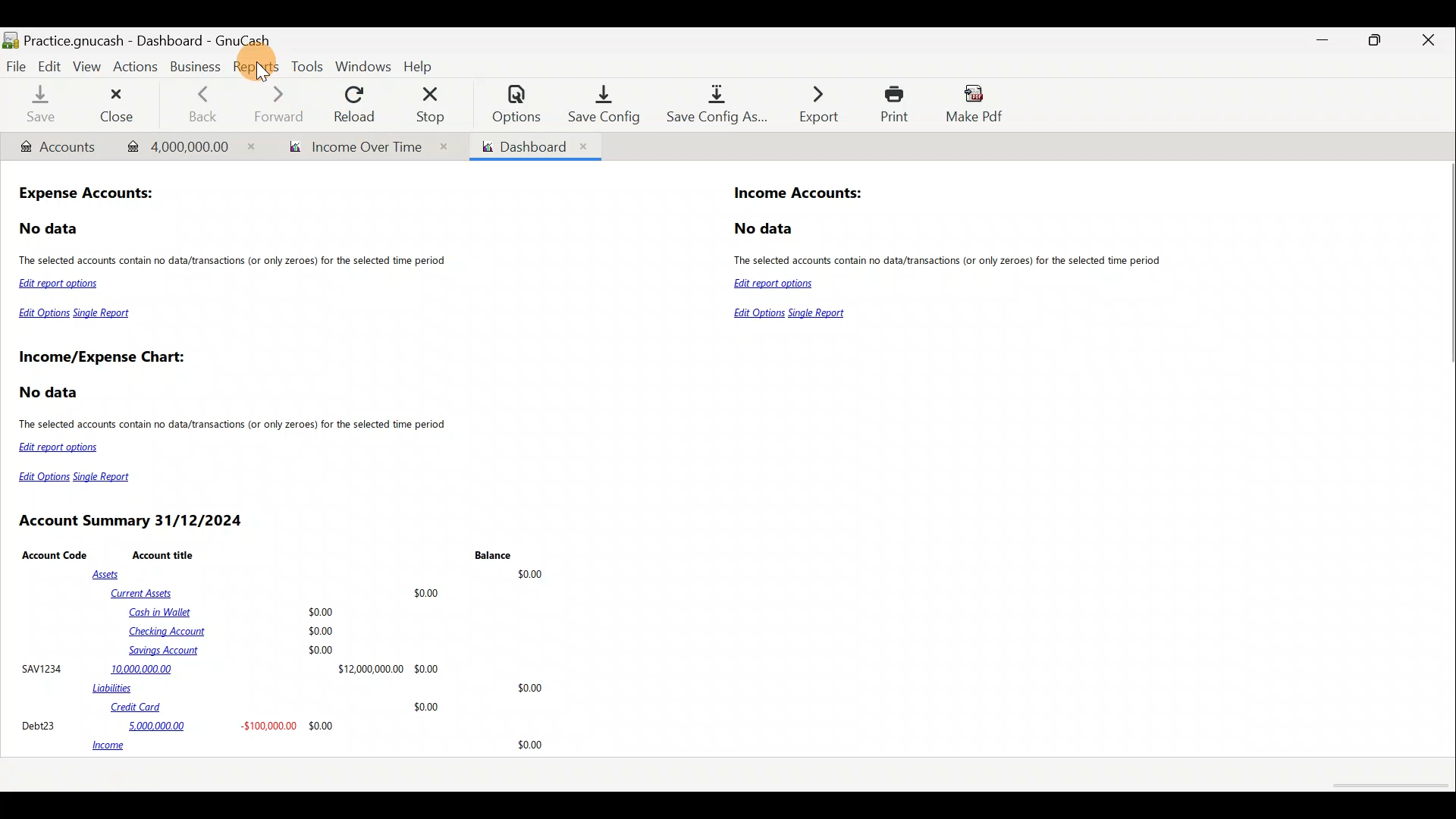  Describe the element at coordinates (139, 71) in the screenshot. I see `Actions` at that location.